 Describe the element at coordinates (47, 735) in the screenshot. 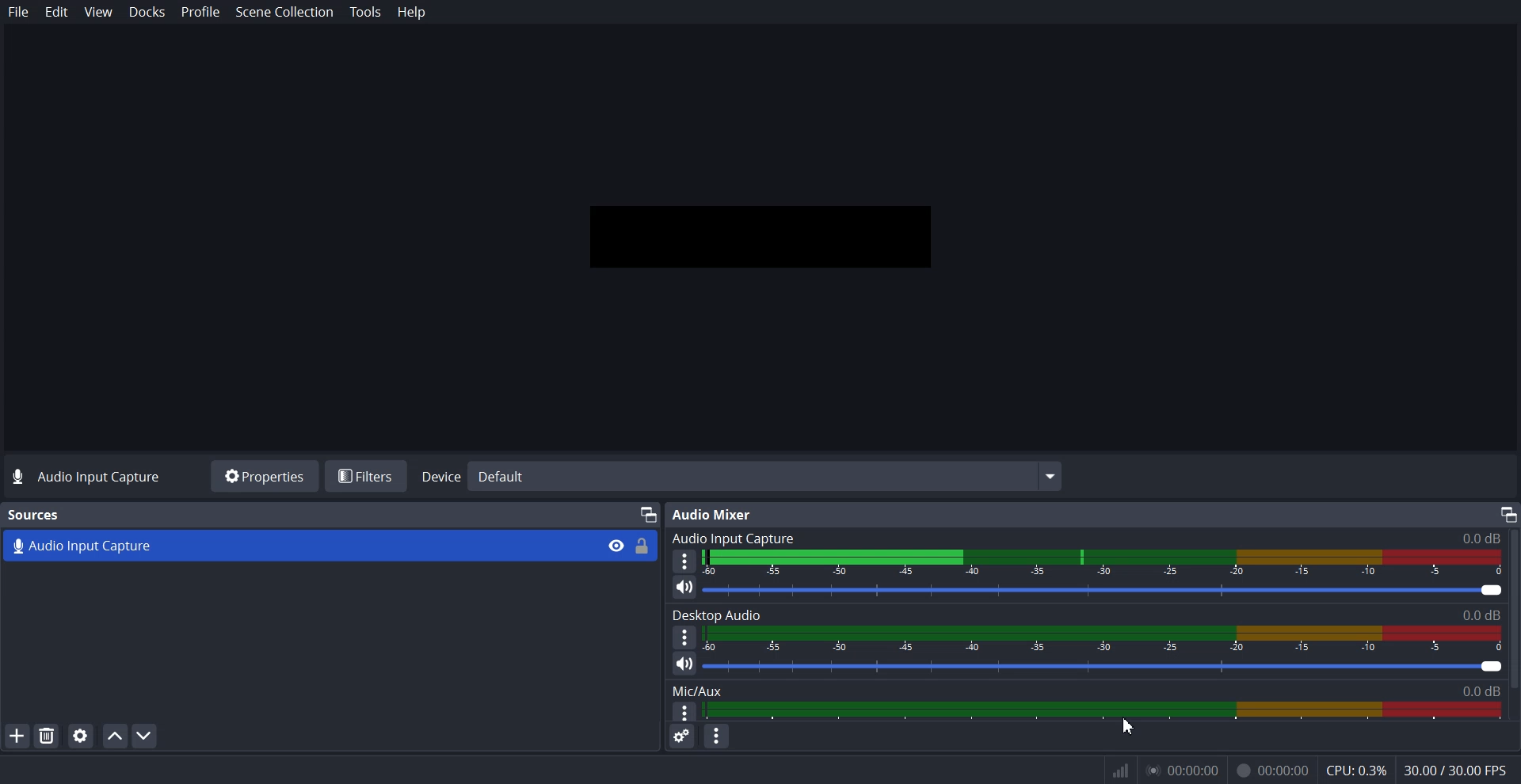

I see `Remove Selected Source` at that location.